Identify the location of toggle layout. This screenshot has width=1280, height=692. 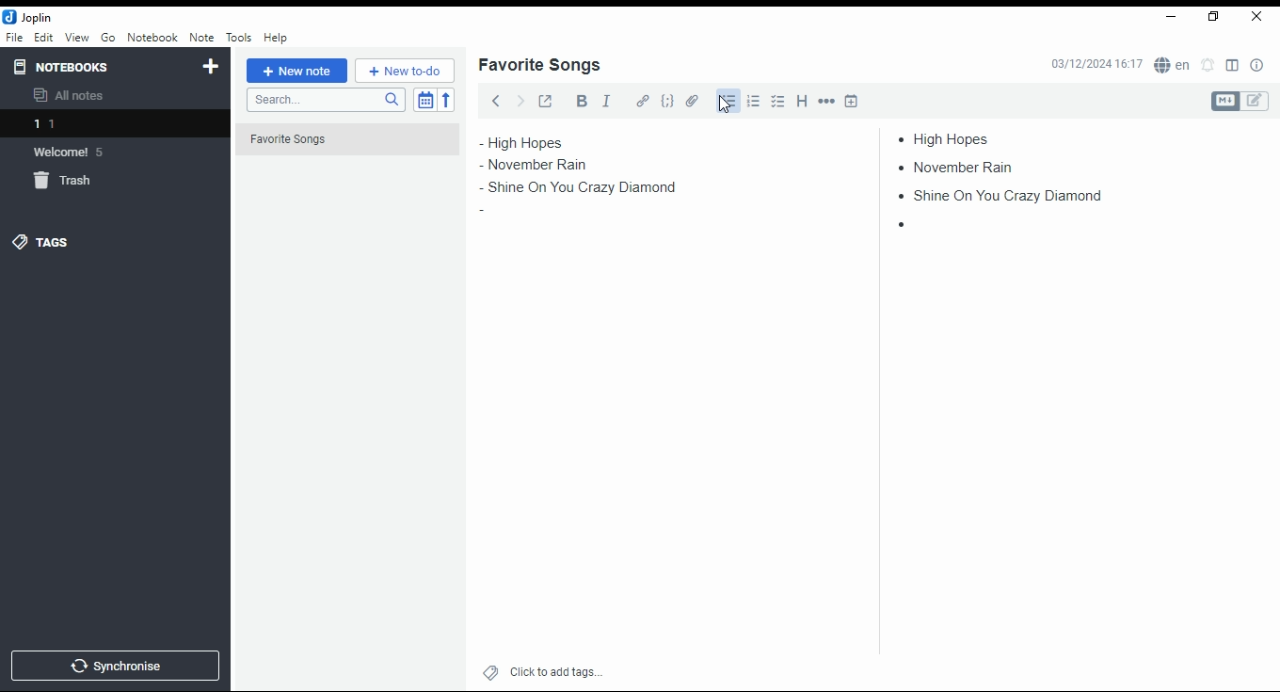
(1233, 66).